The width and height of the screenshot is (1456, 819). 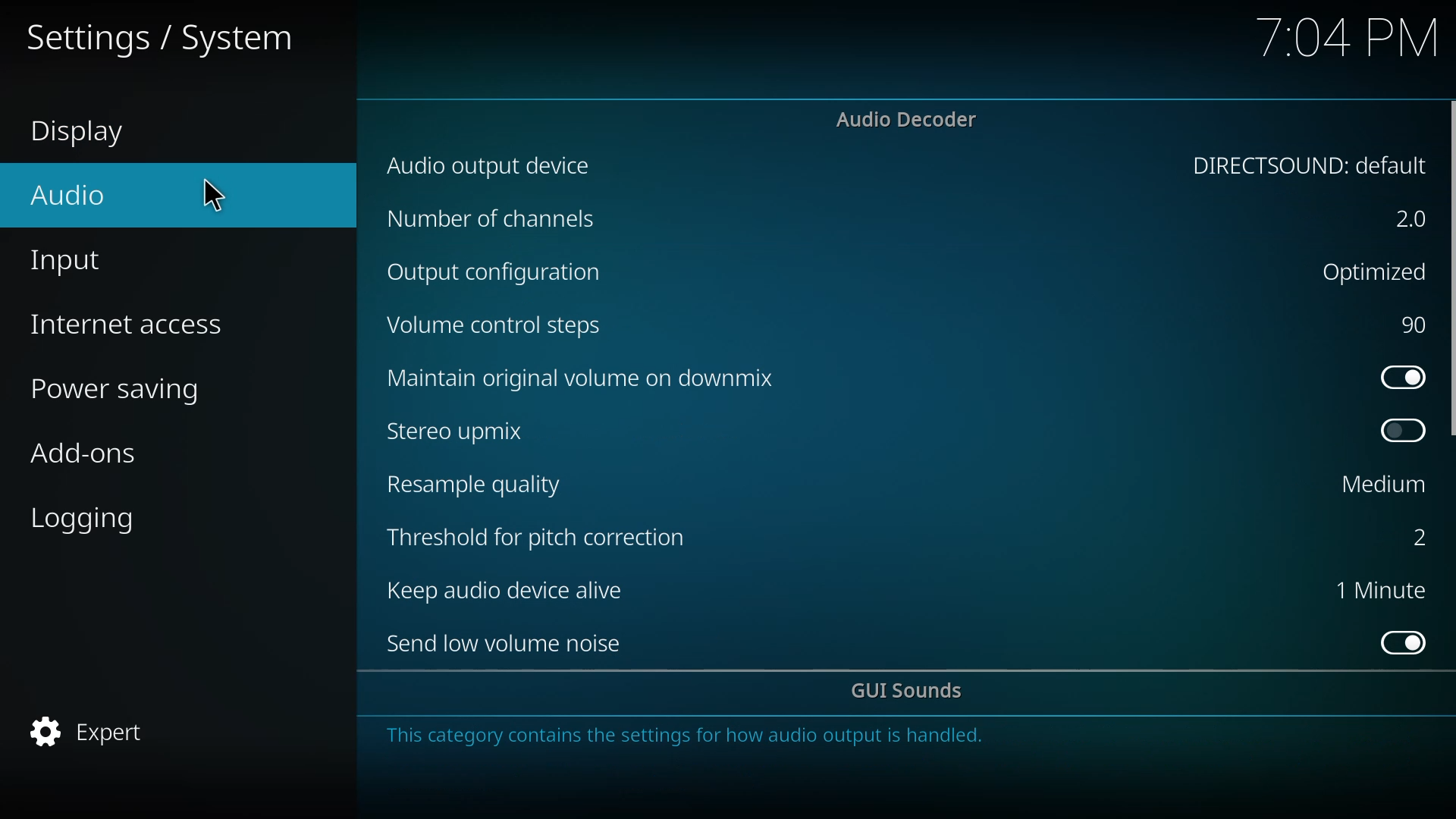 I want to click on threshold for pitch correction, so click(x=543, y=536).